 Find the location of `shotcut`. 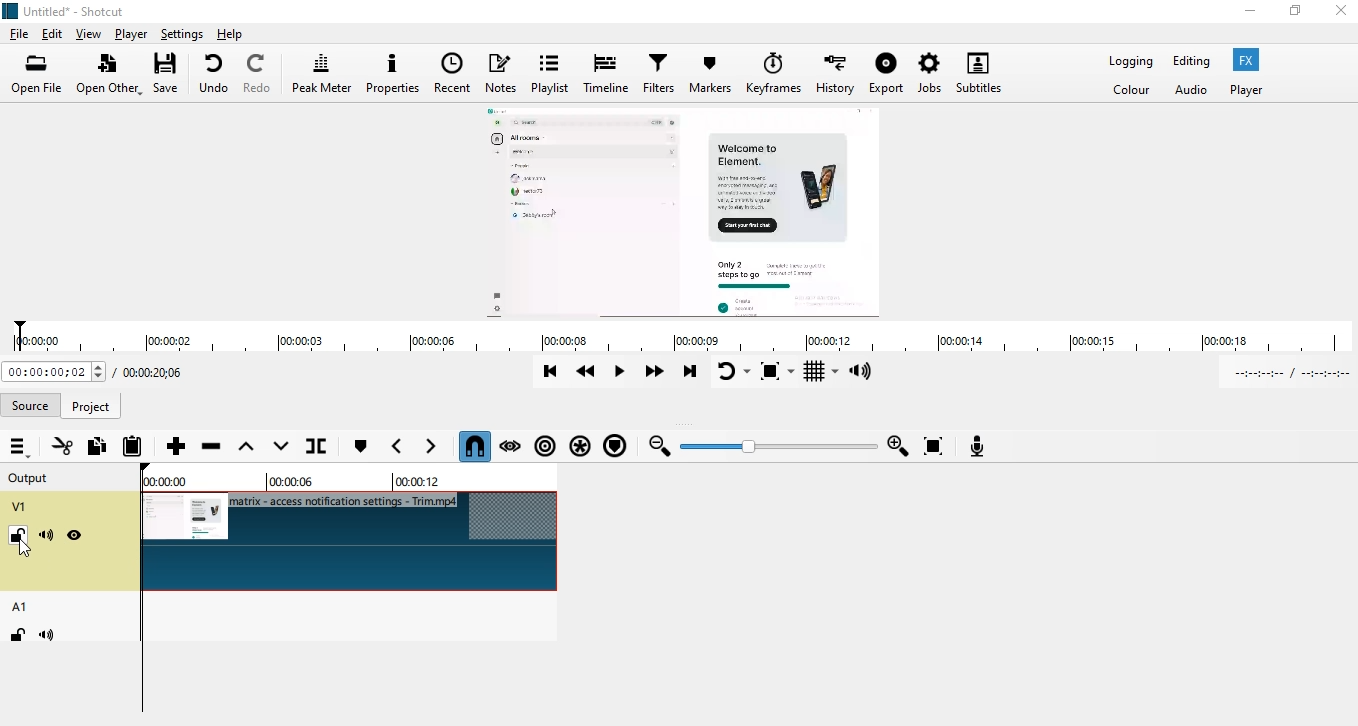

shotcut is located at coordinates (77, 8).